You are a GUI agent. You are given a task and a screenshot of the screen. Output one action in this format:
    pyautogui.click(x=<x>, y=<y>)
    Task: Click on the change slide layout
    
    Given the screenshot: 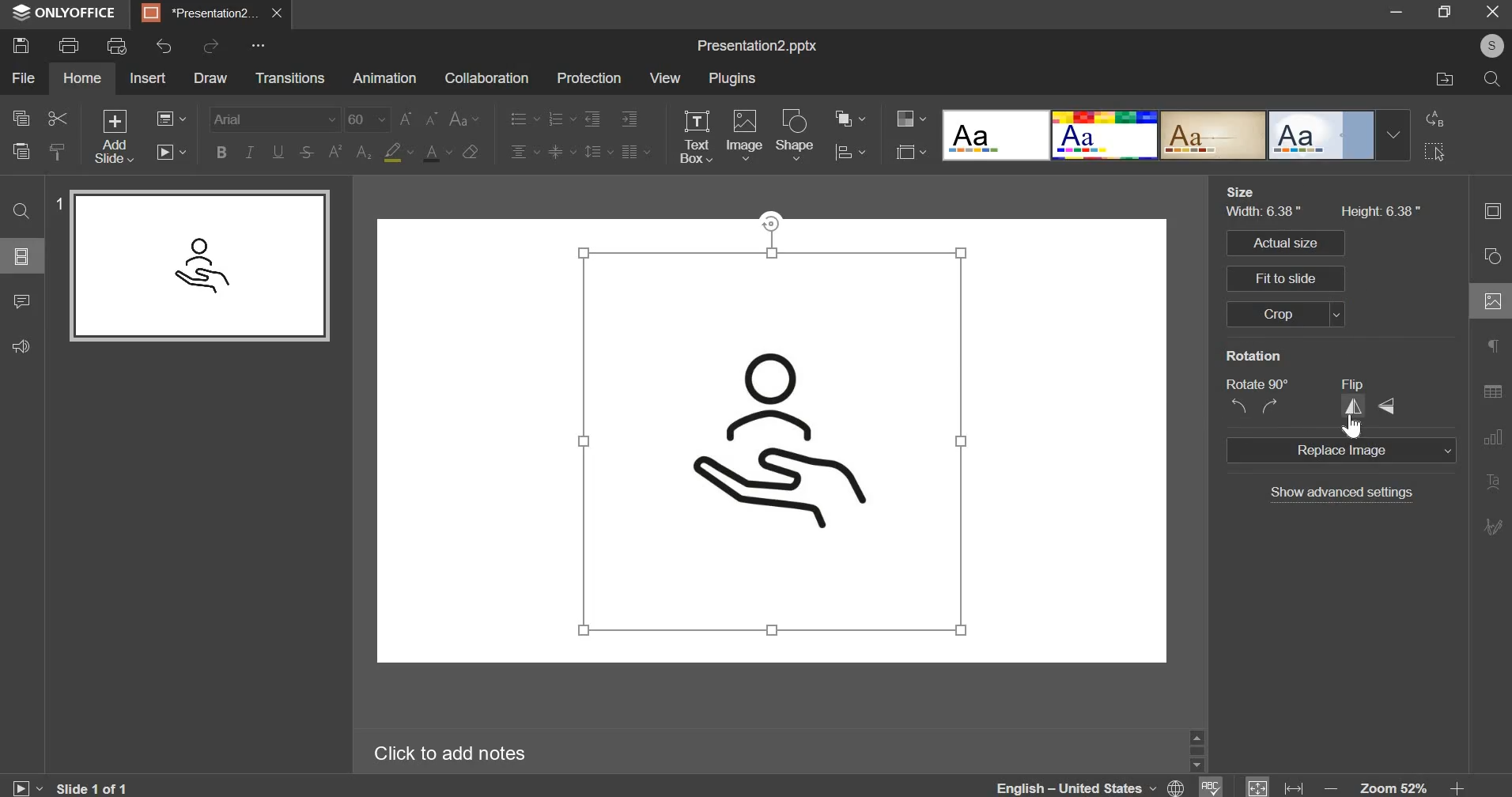 What is the action you would take?
    pyautogui.click(x=170, y=119)
    